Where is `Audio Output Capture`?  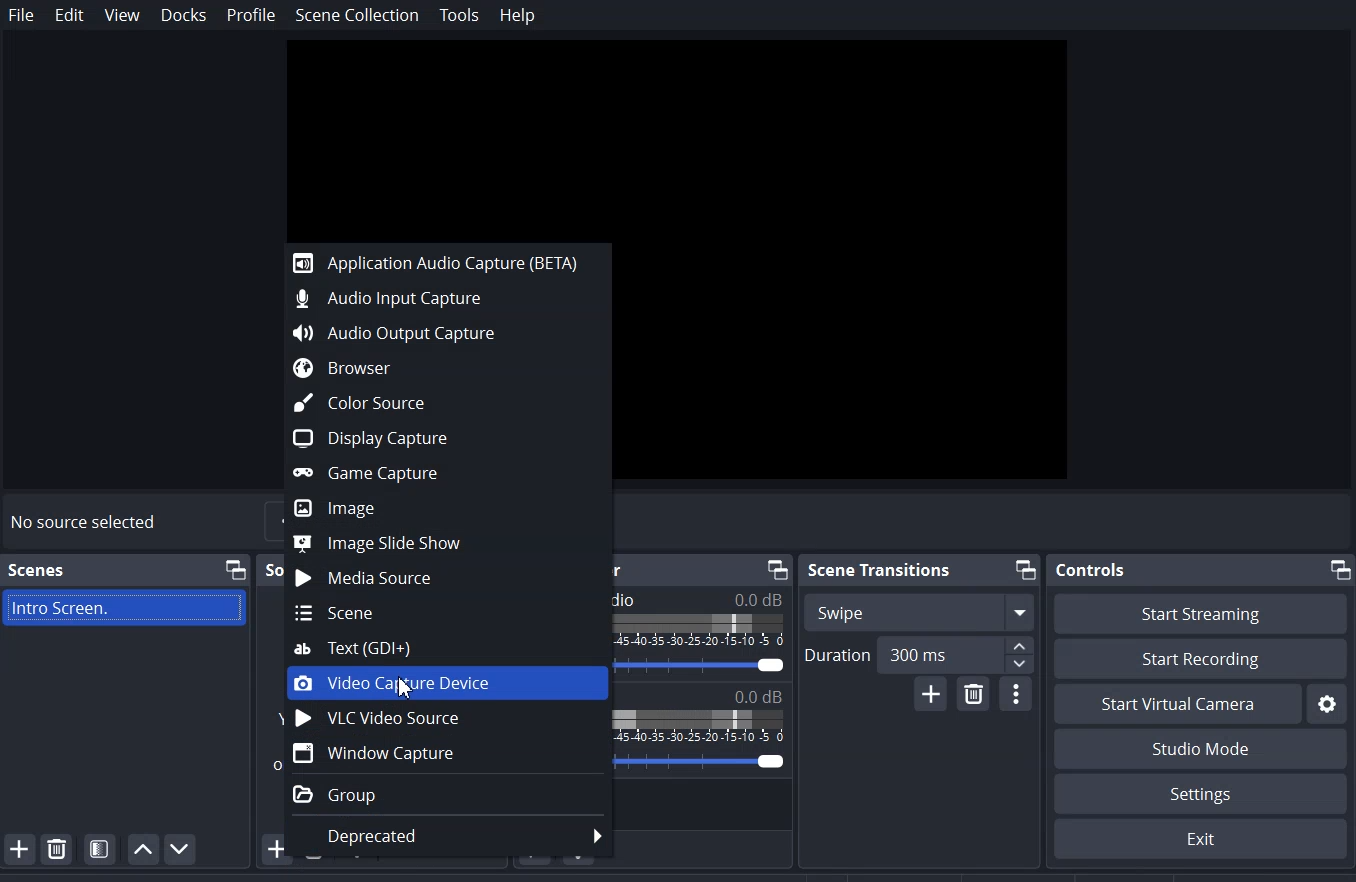
Audio Output Capture is located at coordinates (438, 333).